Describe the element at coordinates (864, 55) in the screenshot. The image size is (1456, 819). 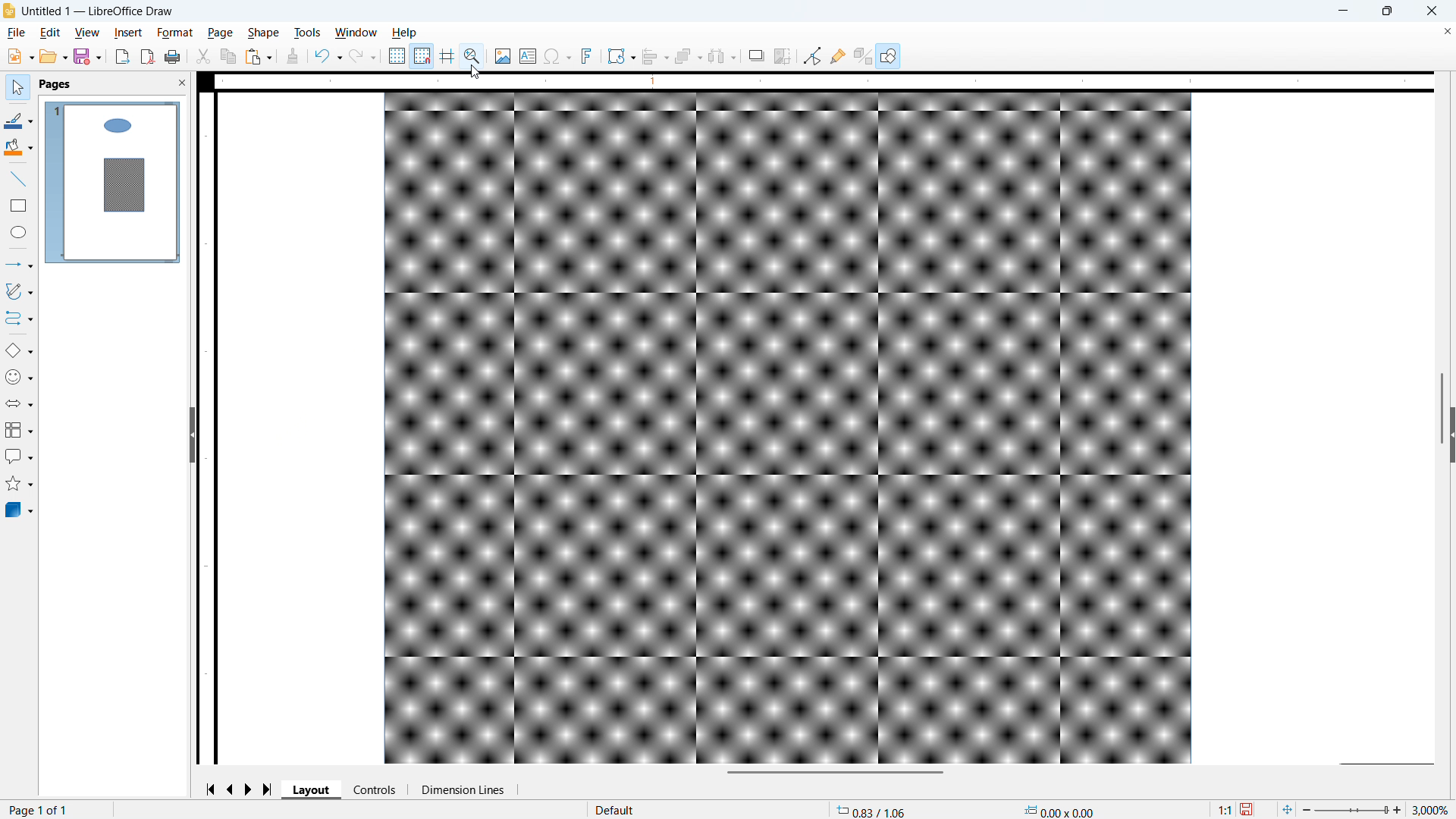
I see `Toggle extrusion ` at that location.